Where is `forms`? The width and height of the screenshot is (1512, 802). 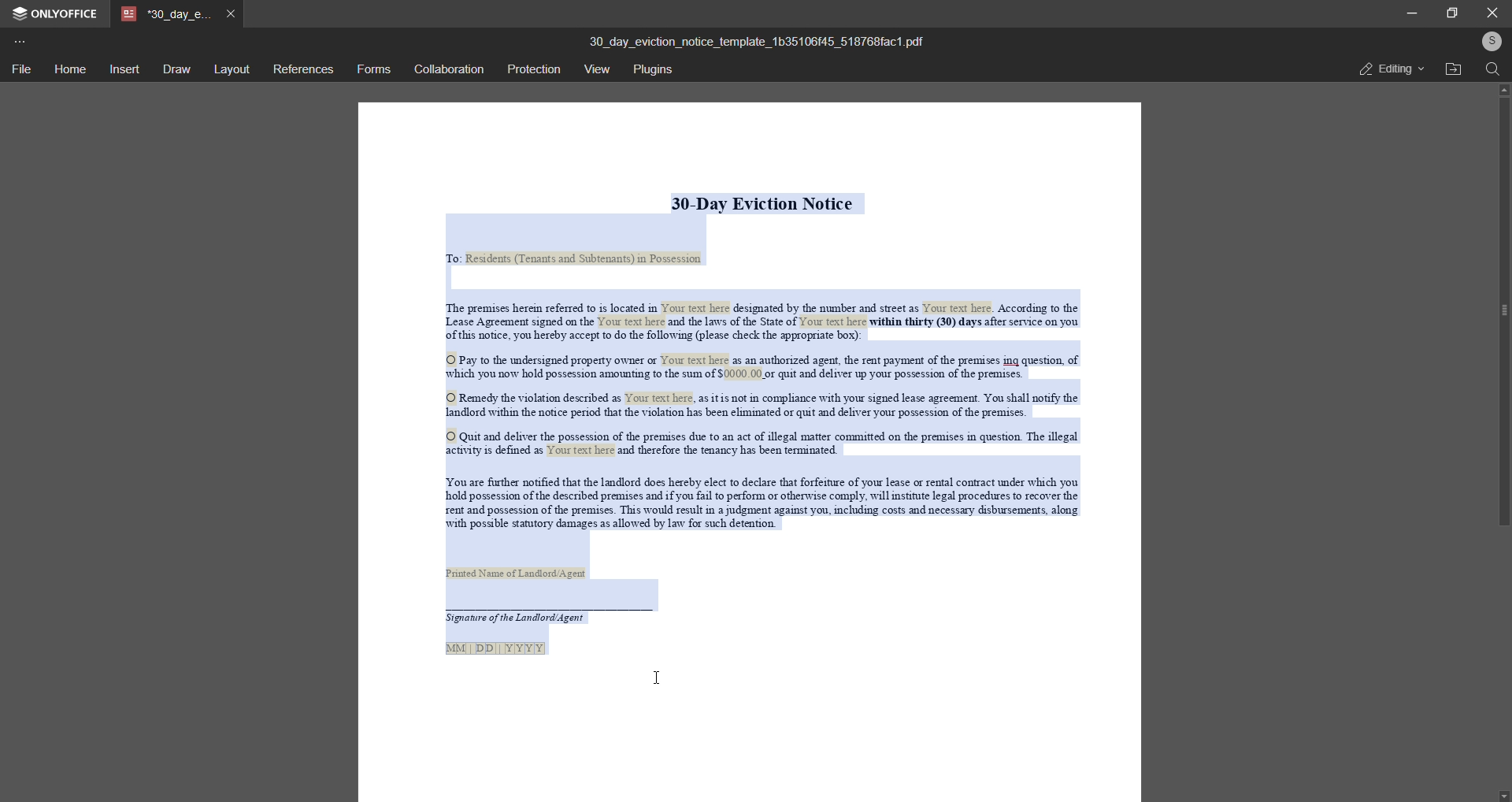 forms is located at coordinates (373, 69).